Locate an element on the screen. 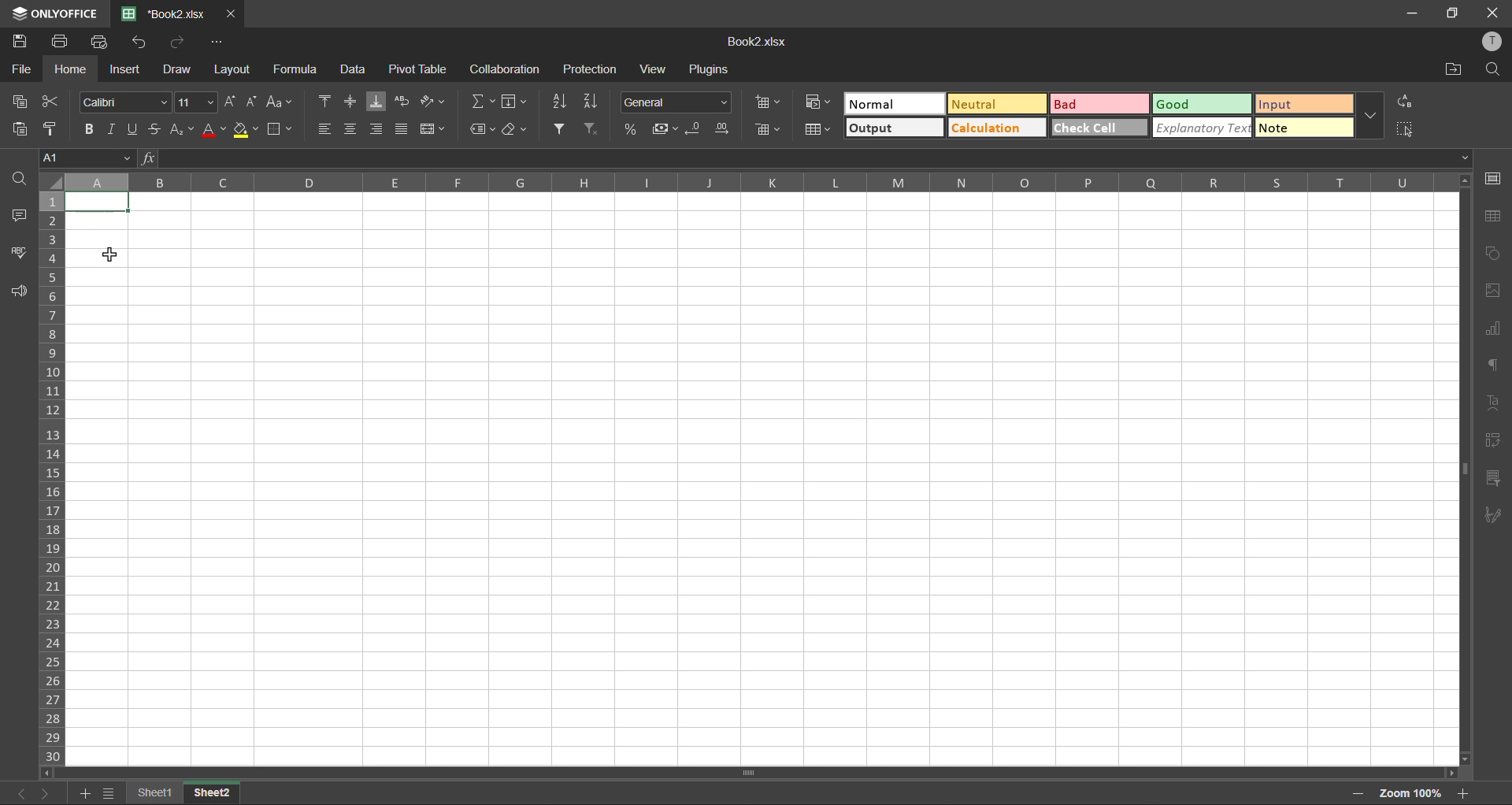  sort descending is located at coordinates (595, 99).